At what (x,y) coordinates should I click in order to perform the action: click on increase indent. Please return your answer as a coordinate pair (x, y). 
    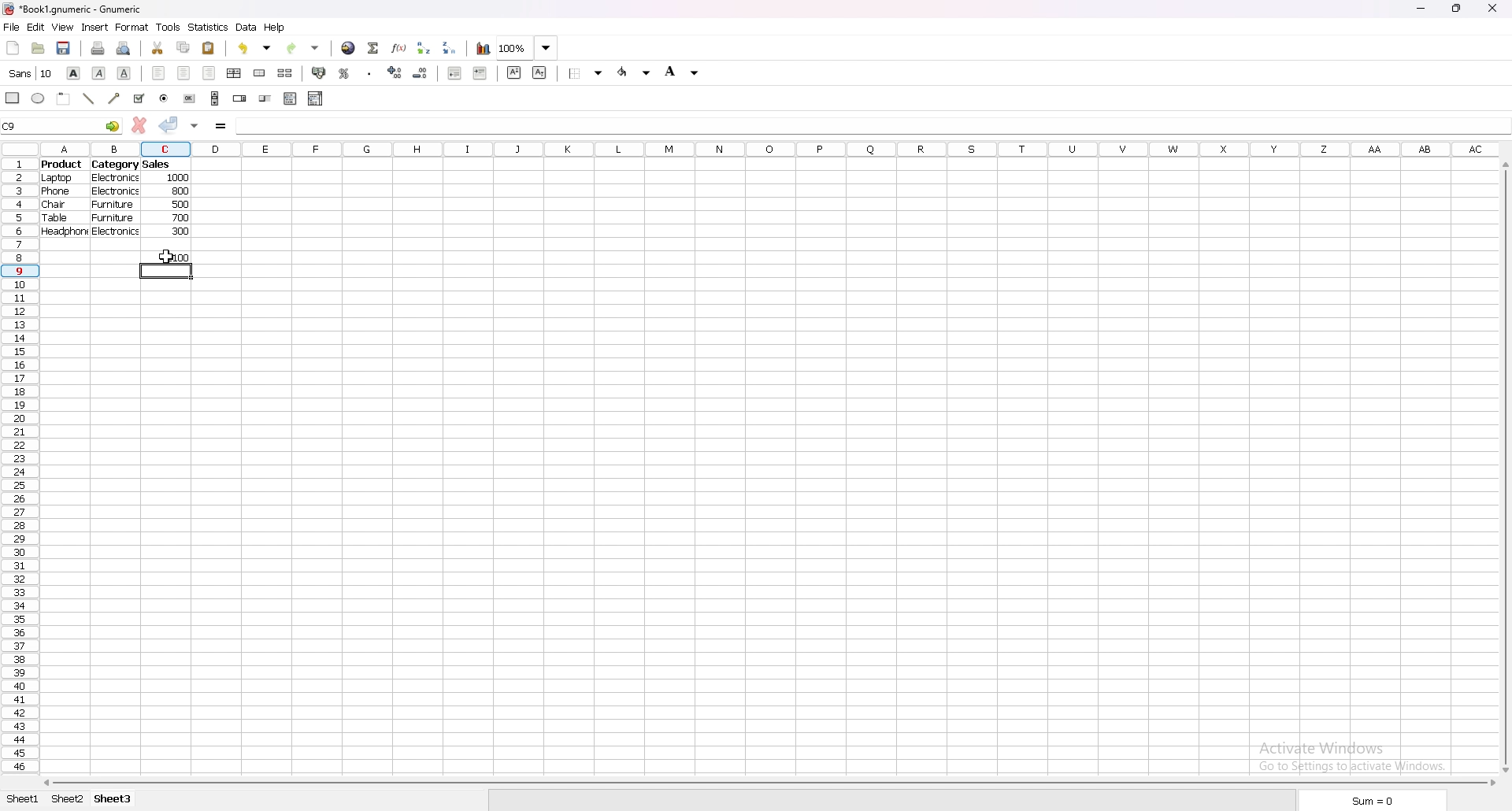
    Looking at the image, I should click on (480, 73).